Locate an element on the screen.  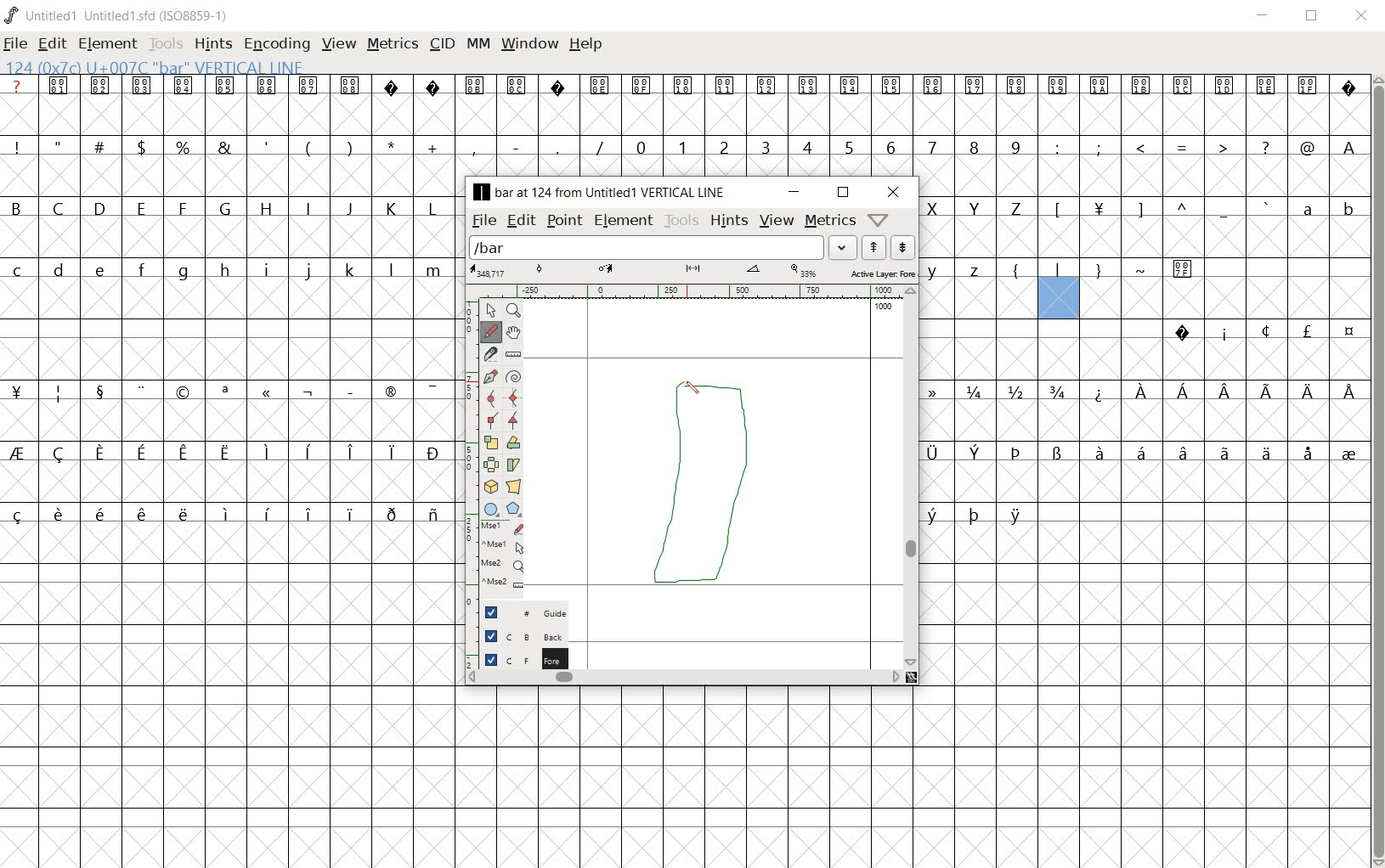
empty cells is located at coordinates (1144, 236).